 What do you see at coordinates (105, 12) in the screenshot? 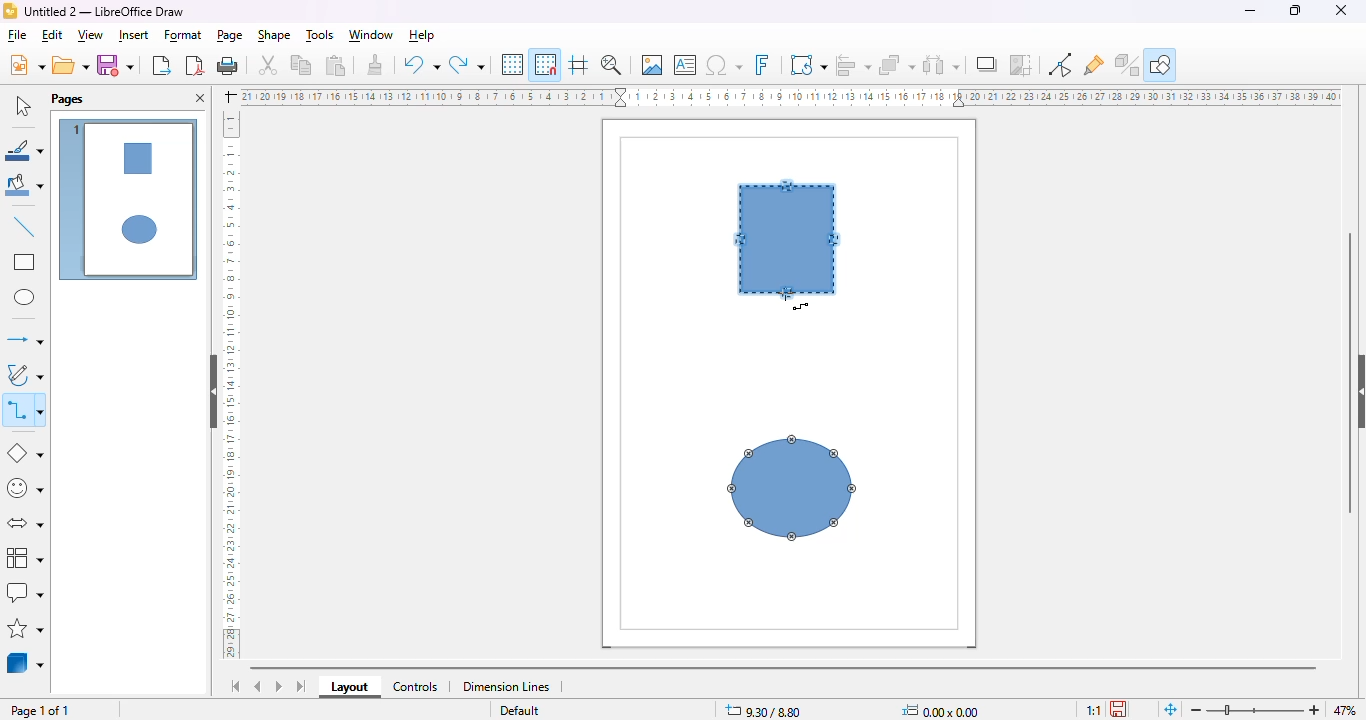
I see `Untitled 2 - LibreOffice Draw` at bounding box center [105, 12].